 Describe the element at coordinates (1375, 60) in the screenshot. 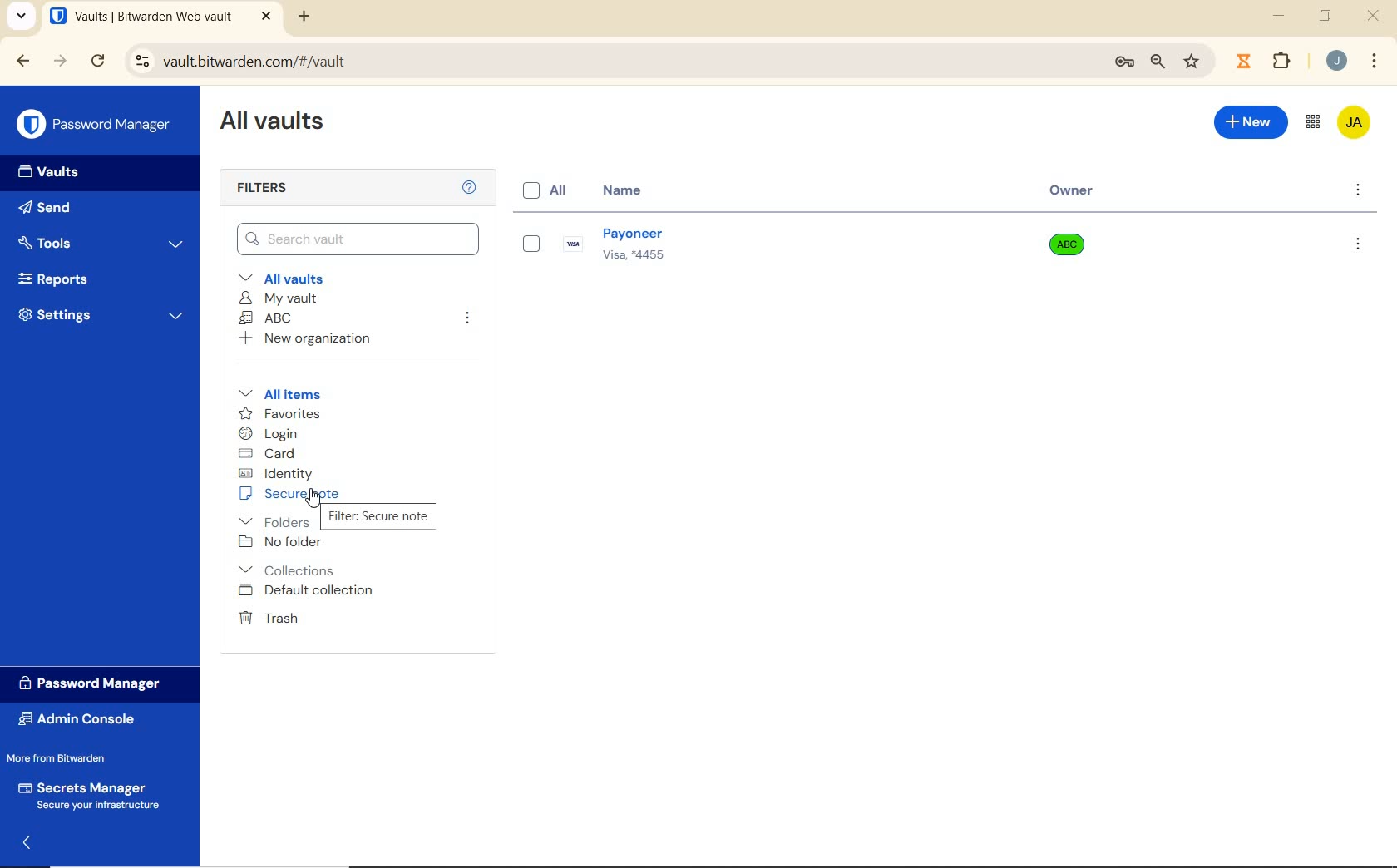

I see `customize Google chrome` at that location.